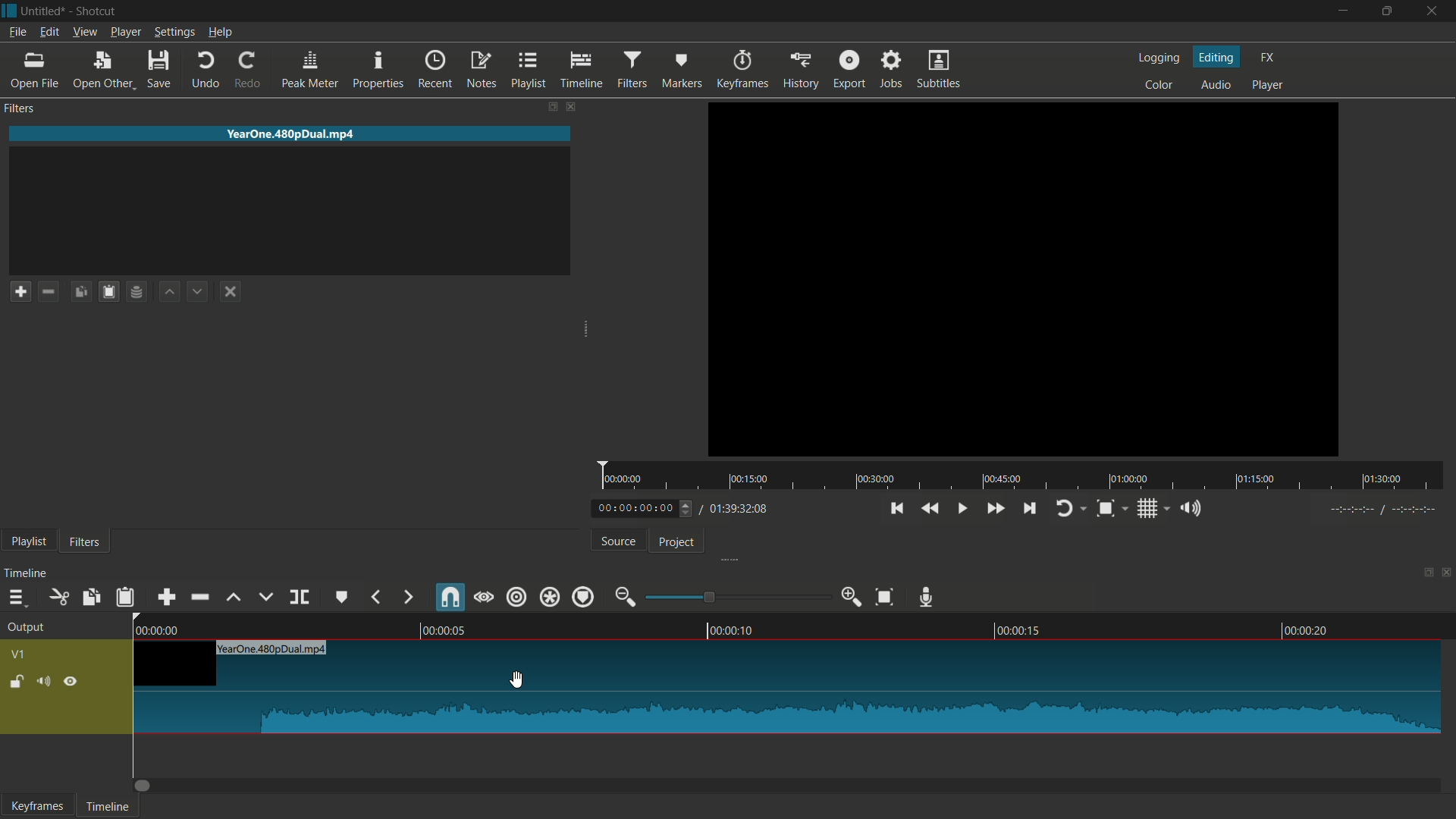 This screenshot has width=1456, height=819. Describe the element at coordinates (52, 291) in the screenshot. I see `remove a filter` at that location.